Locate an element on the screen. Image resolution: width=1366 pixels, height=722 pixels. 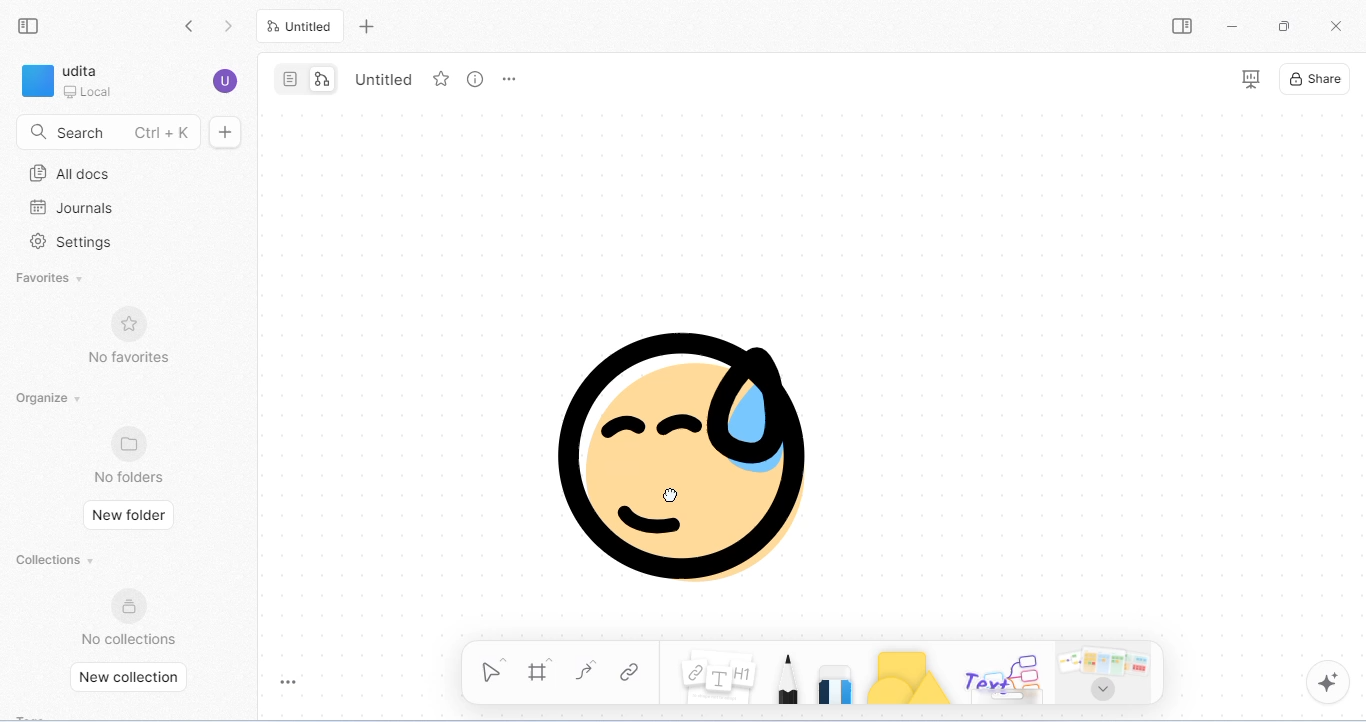
link is located at coordinates (634, 671).